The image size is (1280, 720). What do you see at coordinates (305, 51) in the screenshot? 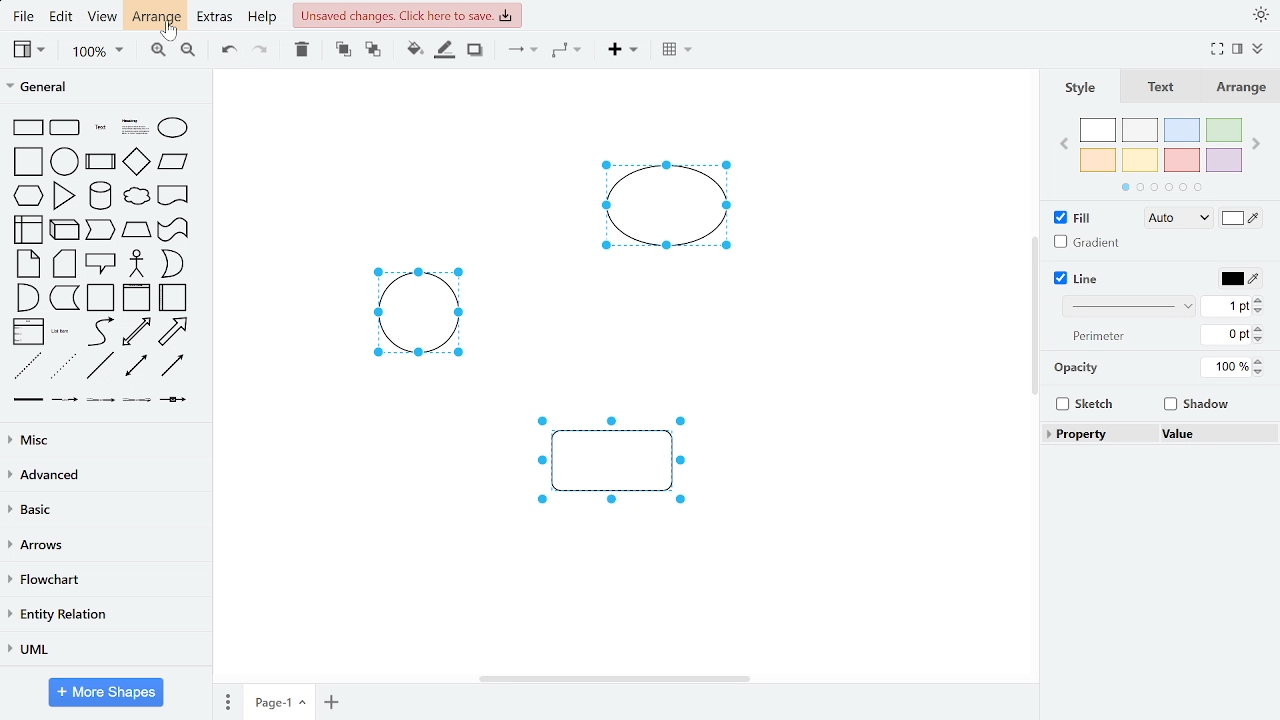
I see `delete` at bounding box center [305, 51].